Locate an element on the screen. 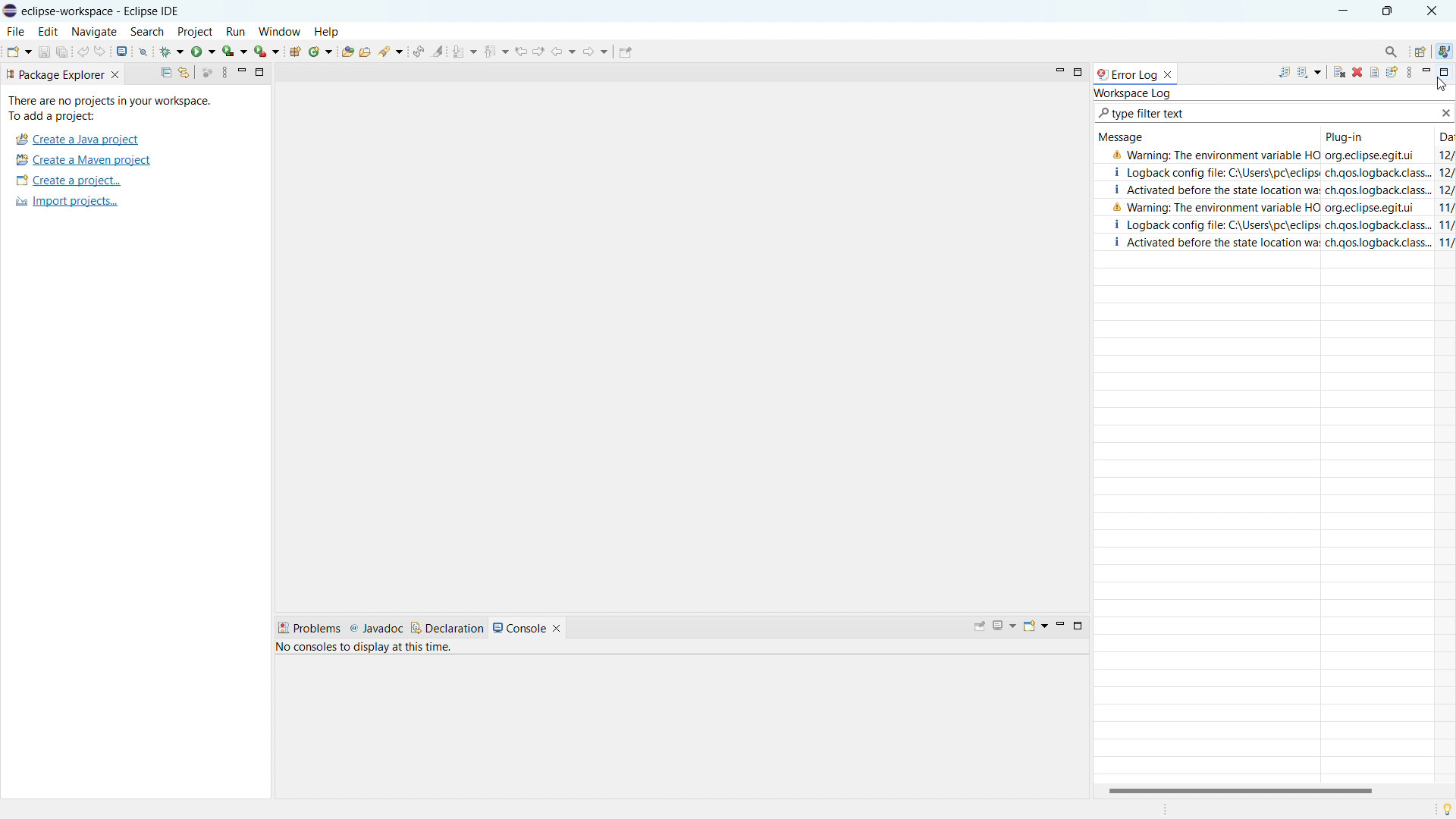 The width and height of the screenshot is (1456, 819). redo is located at coordinates (101, 50).